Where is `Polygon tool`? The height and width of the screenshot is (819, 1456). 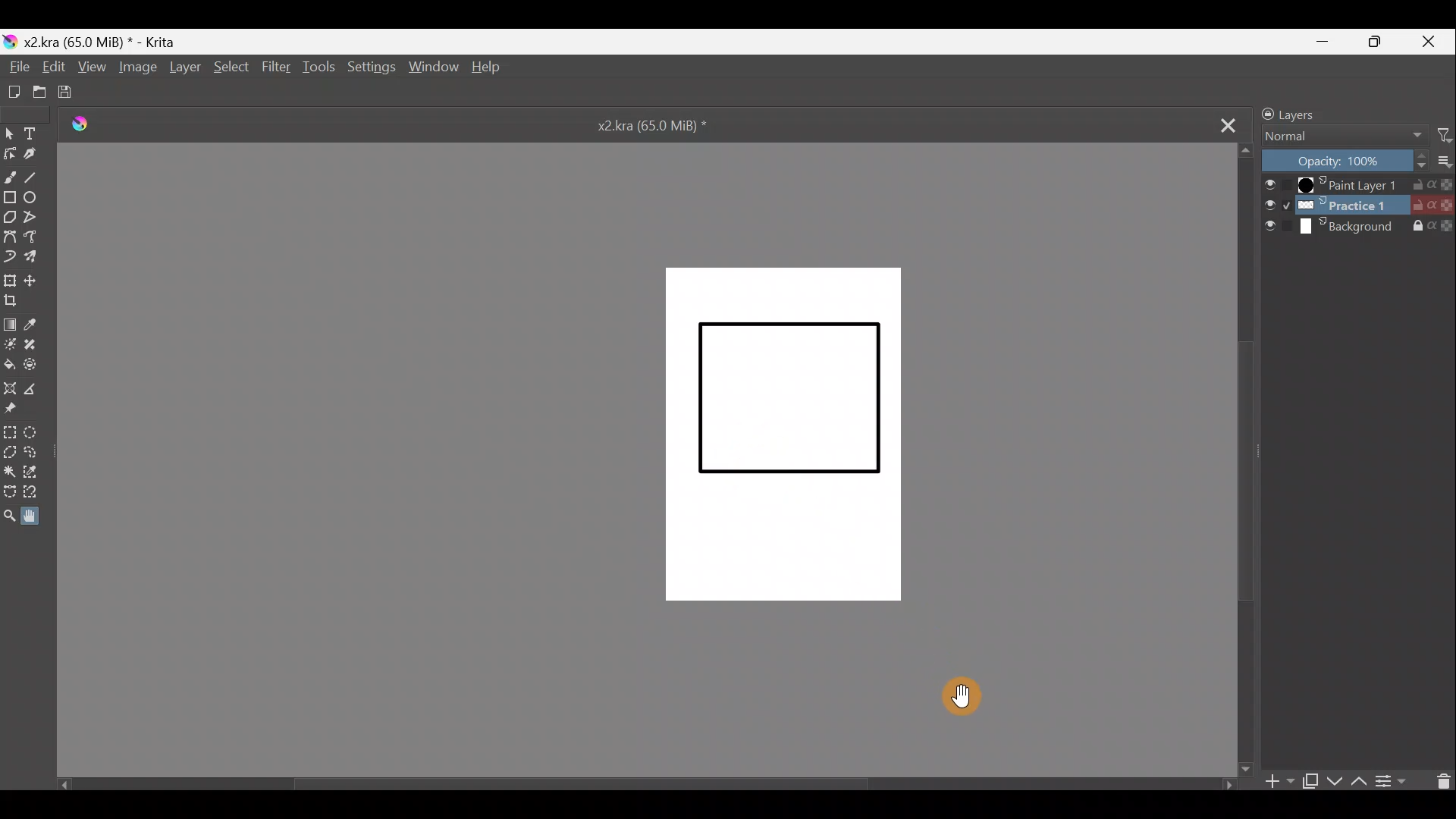 Polygon tool is located at coordinates (9, 219).